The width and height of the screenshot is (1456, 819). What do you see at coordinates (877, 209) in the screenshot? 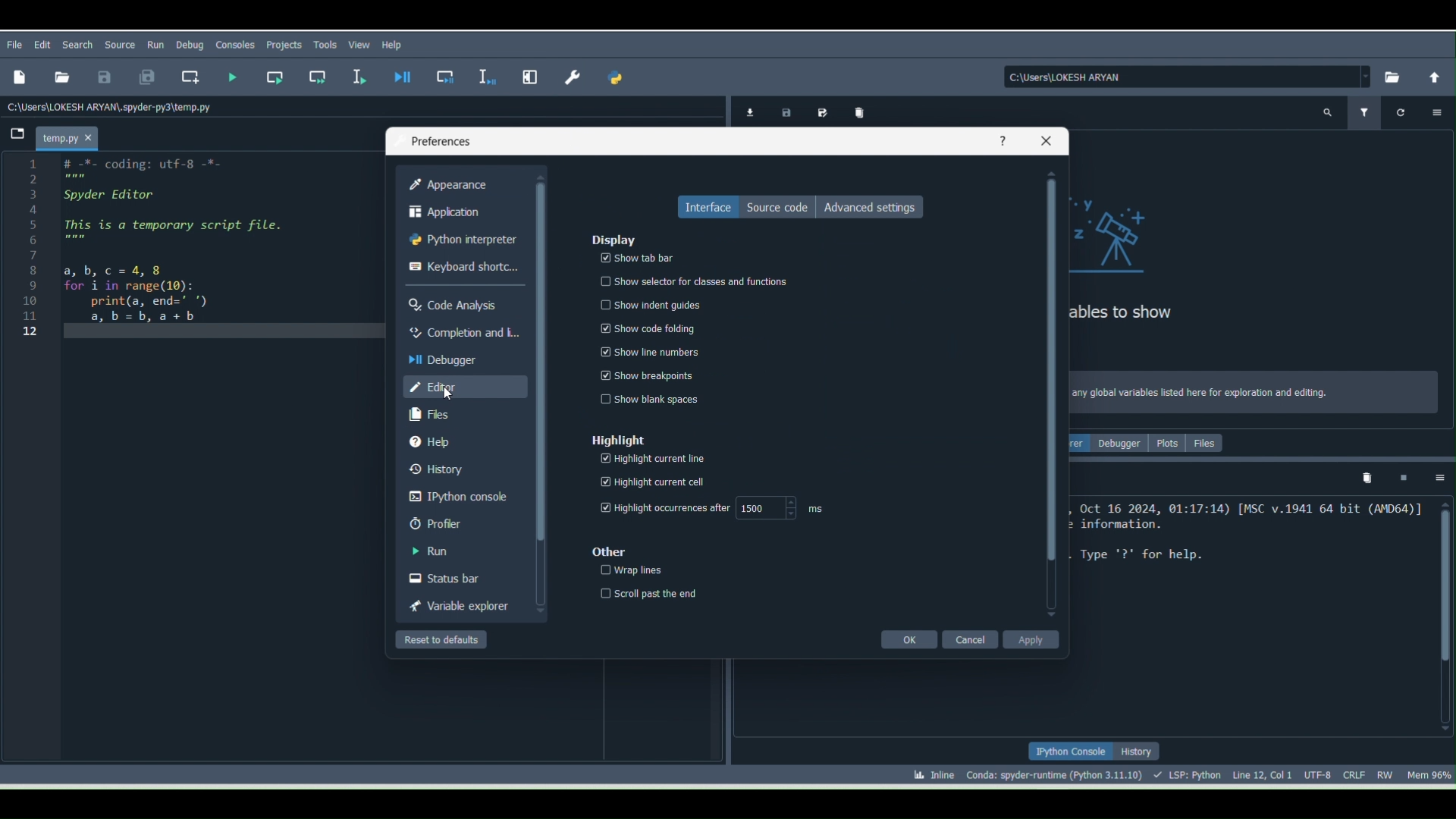
I see `Advanced settings` at bounding box center [877, 209].